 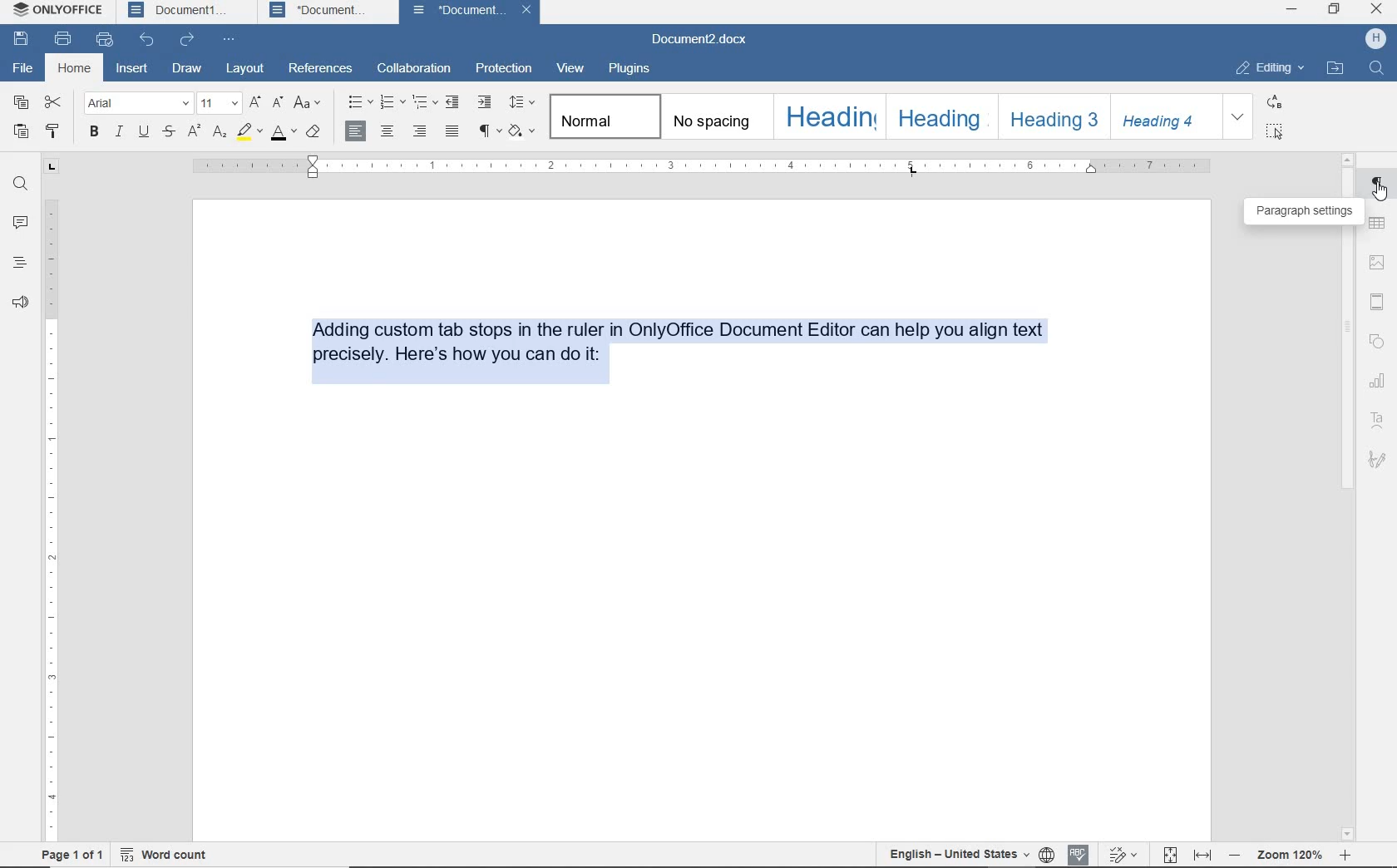 What do you see at coordinates (412, 69) in the screenshot?
I see `collaboration` at bounding box center [412, 69].